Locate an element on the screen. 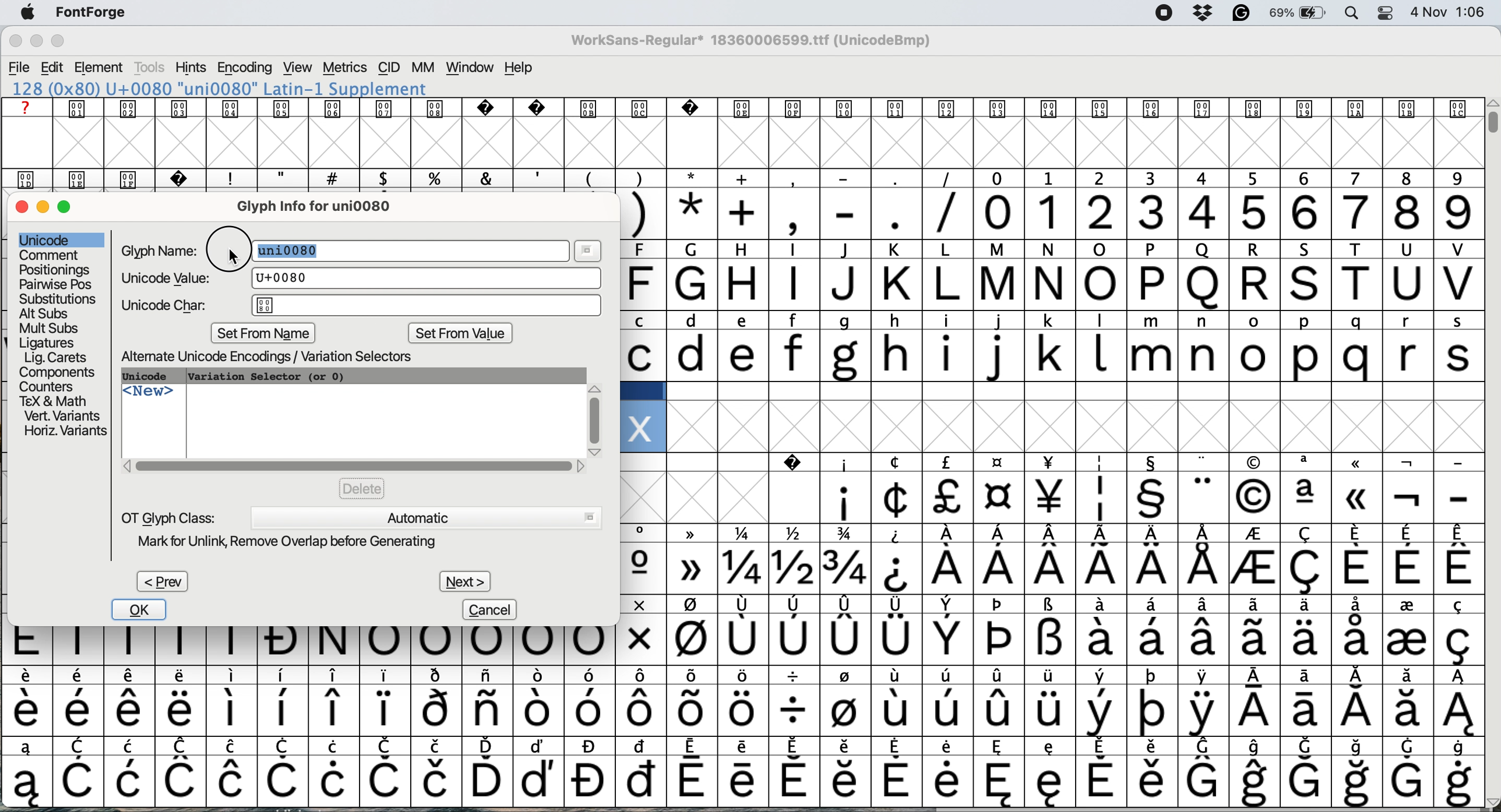  tools is located at coordinates (150, 68).